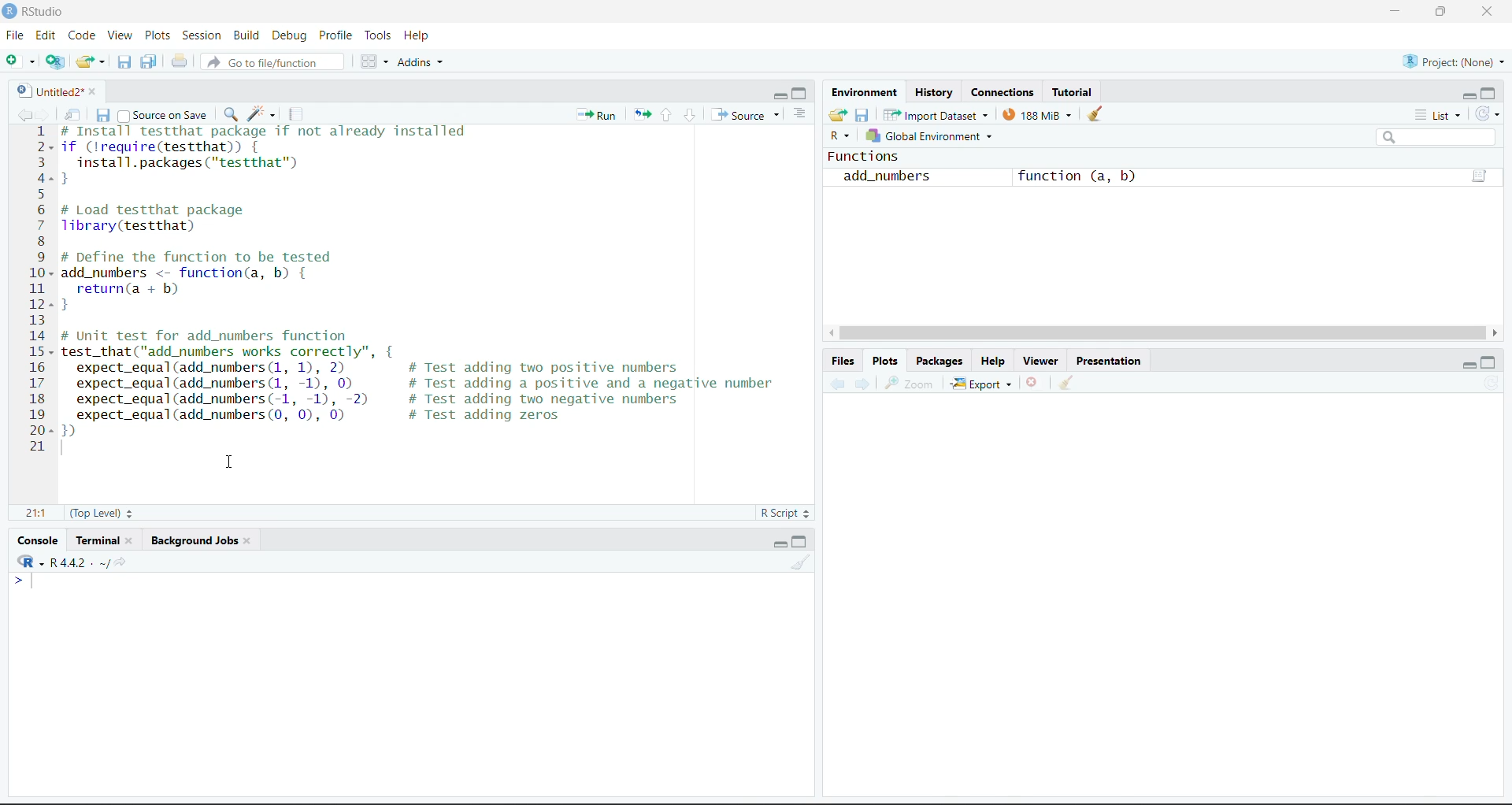  Describe the element at coordinates (1095, 114) in the screenshot. I see `clear` at that location.